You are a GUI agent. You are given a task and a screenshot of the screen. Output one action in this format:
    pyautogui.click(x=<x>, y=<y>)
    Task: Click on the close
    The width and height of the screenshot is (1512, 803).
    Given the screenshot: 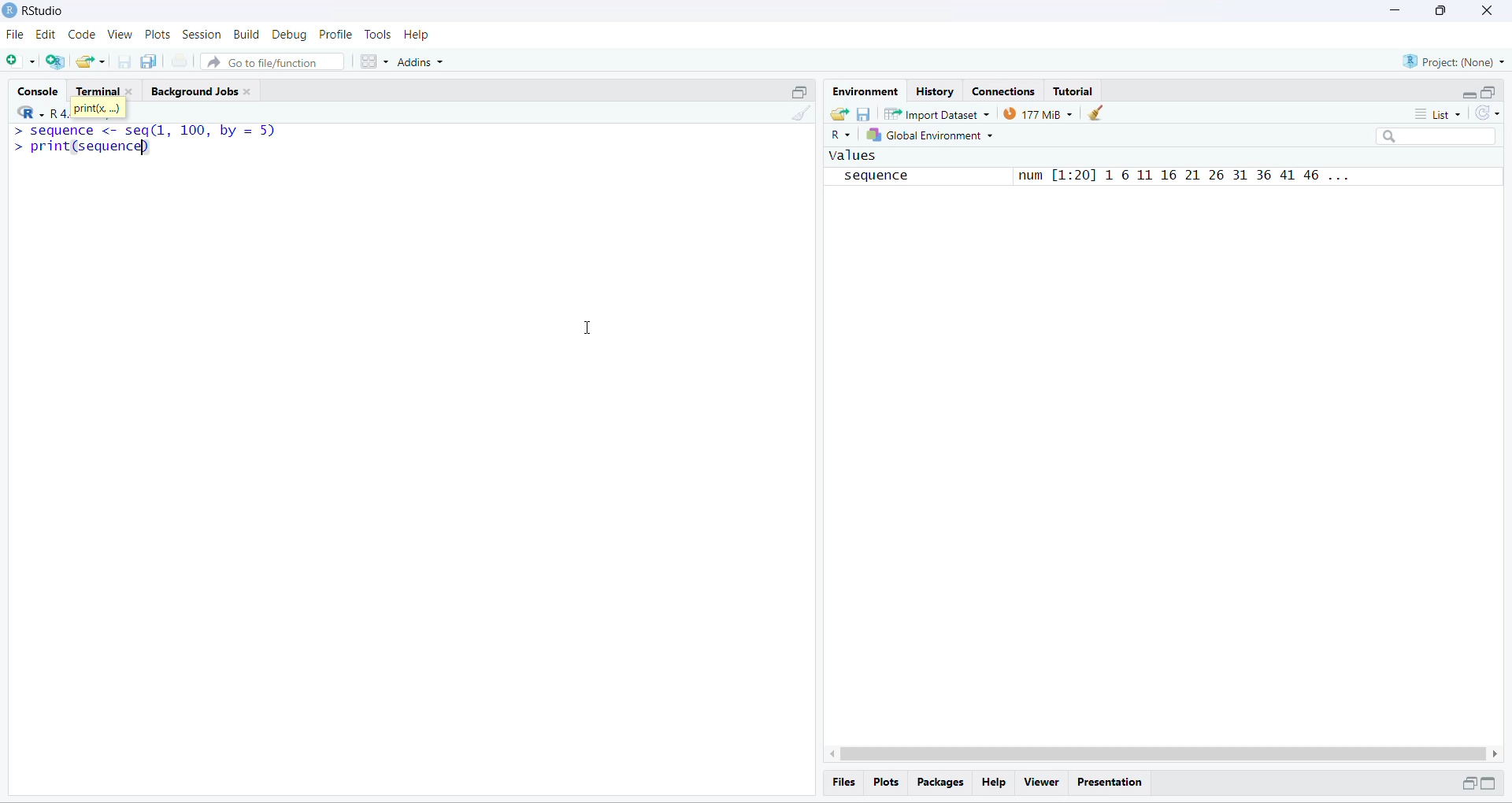 What is the action you would take?
    pyautogui.click(x=131, y=92)
    